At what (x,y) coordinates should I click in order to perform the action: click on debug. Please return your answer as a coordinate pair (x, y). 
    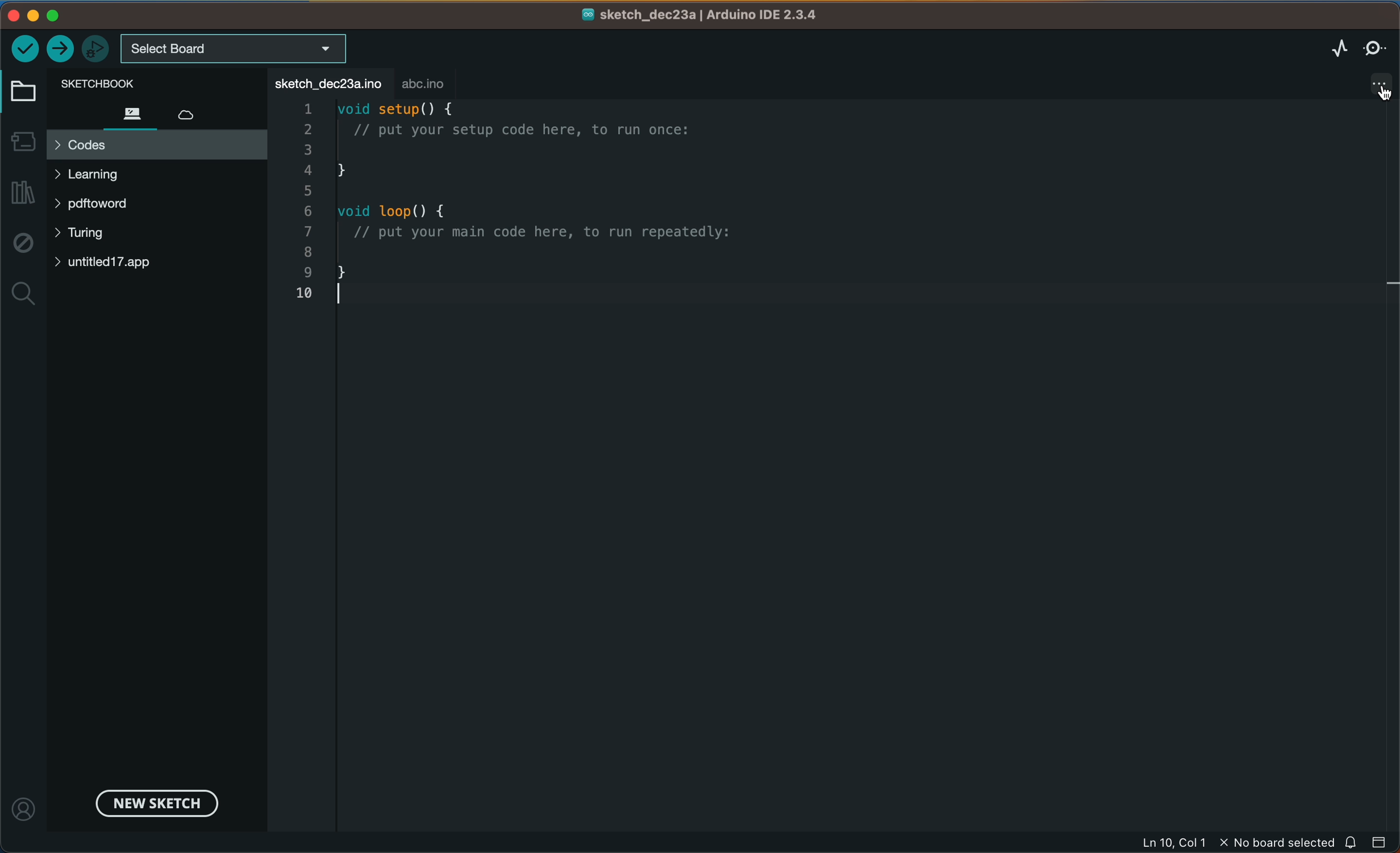
    Looking at the image, I should click on (26, 243).